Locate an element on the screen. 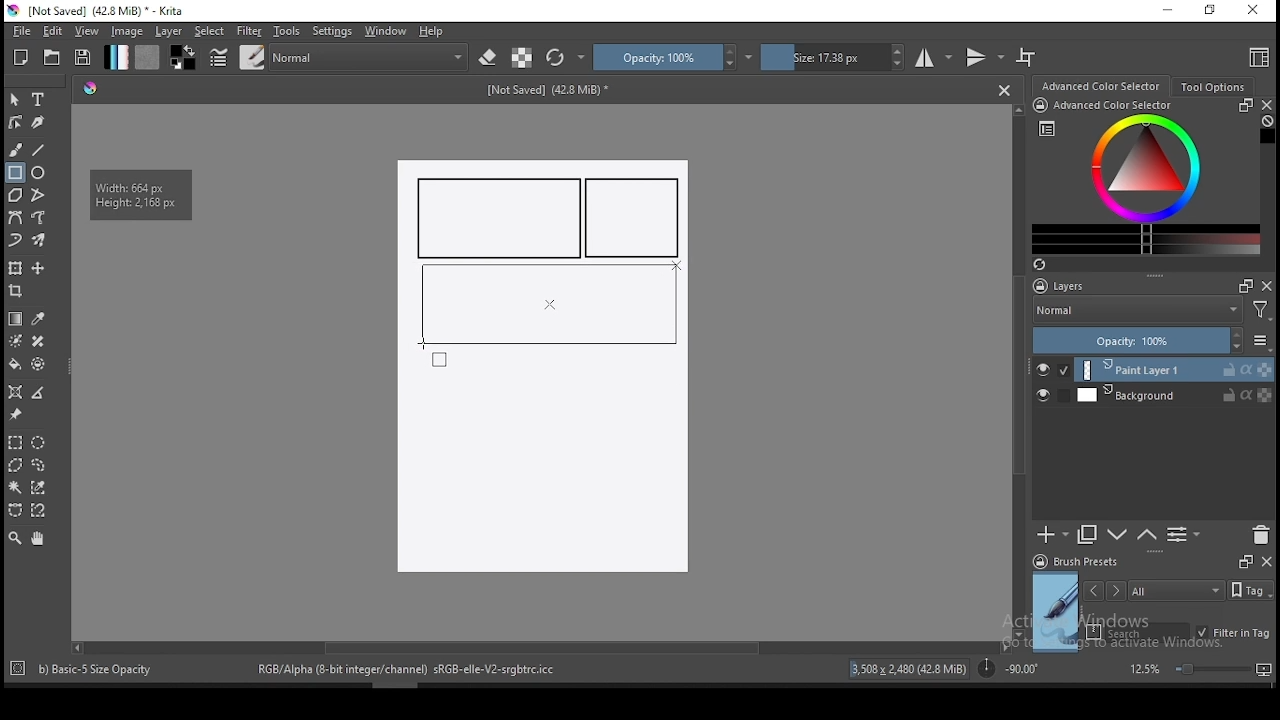  paint bucket tool is located at coordinates (15, 364).